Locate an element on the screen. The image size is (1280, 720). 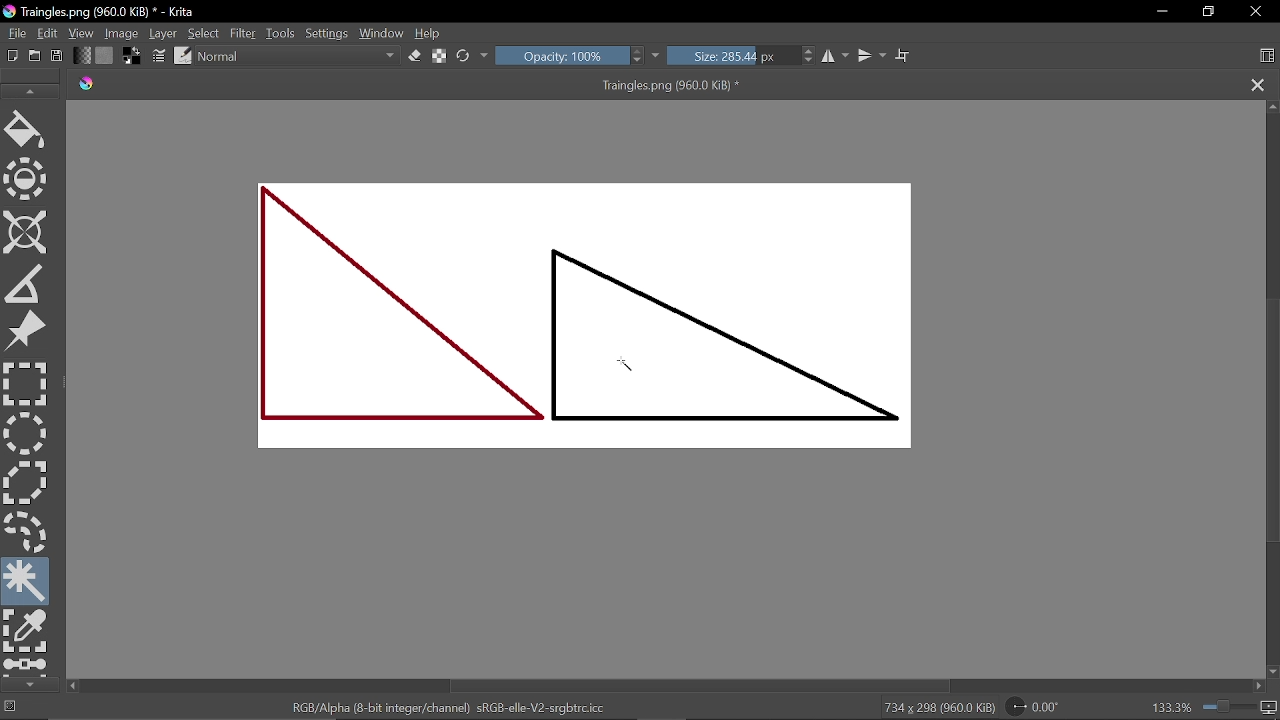
Contagious selection tool is located at coordinates (27, 581).